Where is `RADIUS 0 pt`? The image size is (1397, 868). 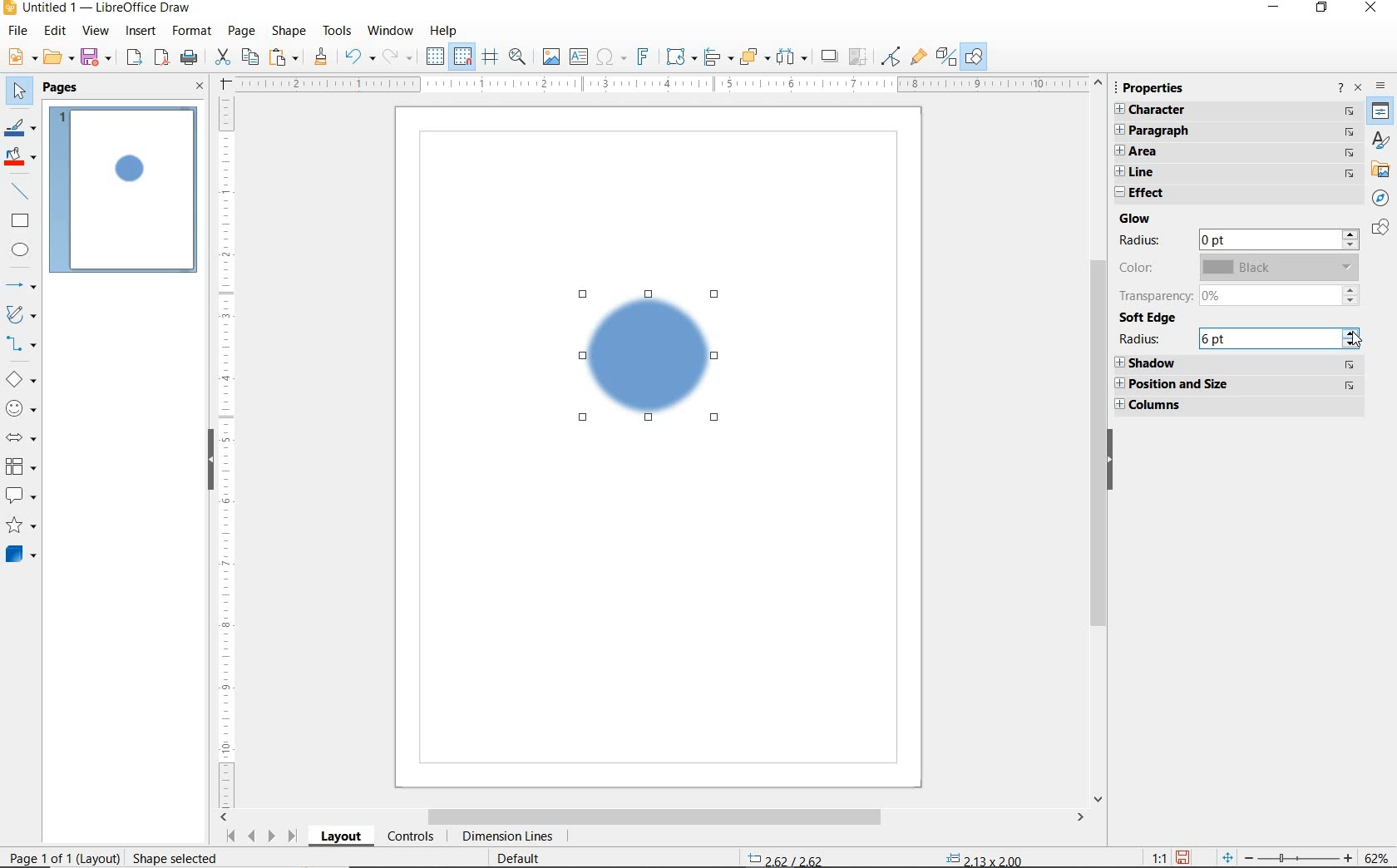
RADIUS 0 pt is located at coordinates (1225, 240).